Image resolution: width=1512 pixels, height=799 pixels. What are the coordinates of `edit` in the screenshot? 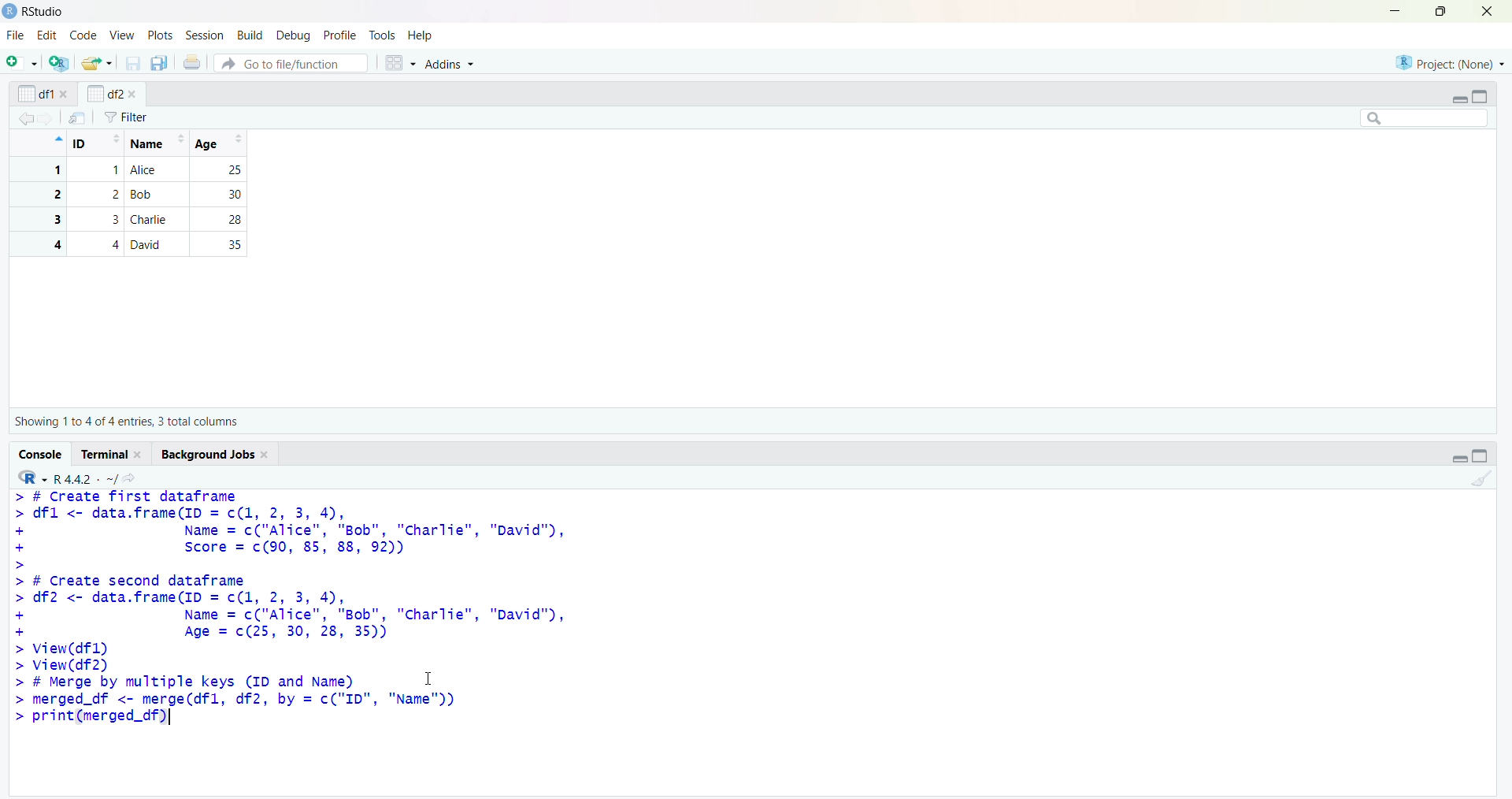 It's located at (47, 35).